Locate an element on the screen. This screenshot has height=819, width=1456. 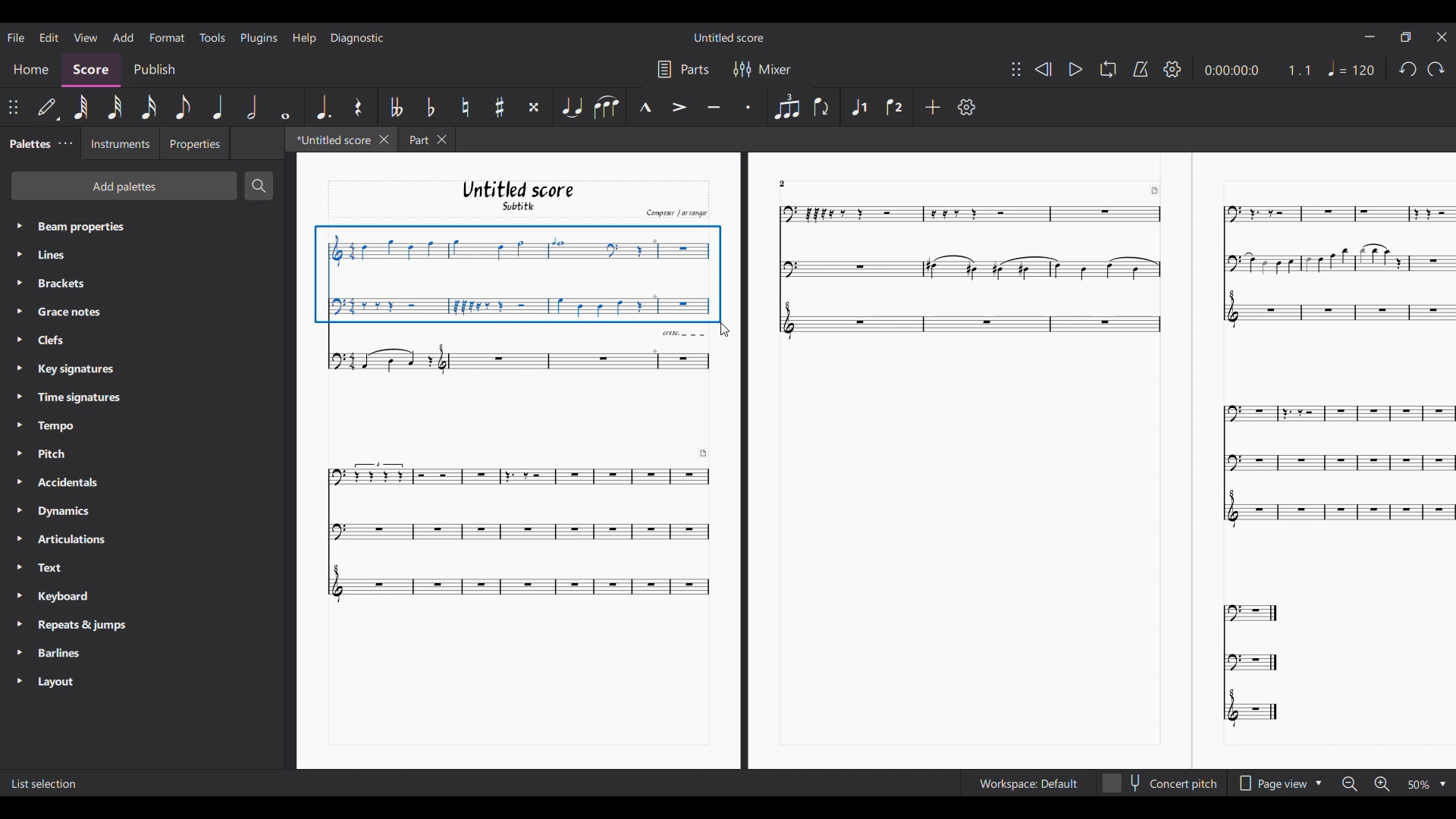
Untitled Score is located at coordinates (729, 37).